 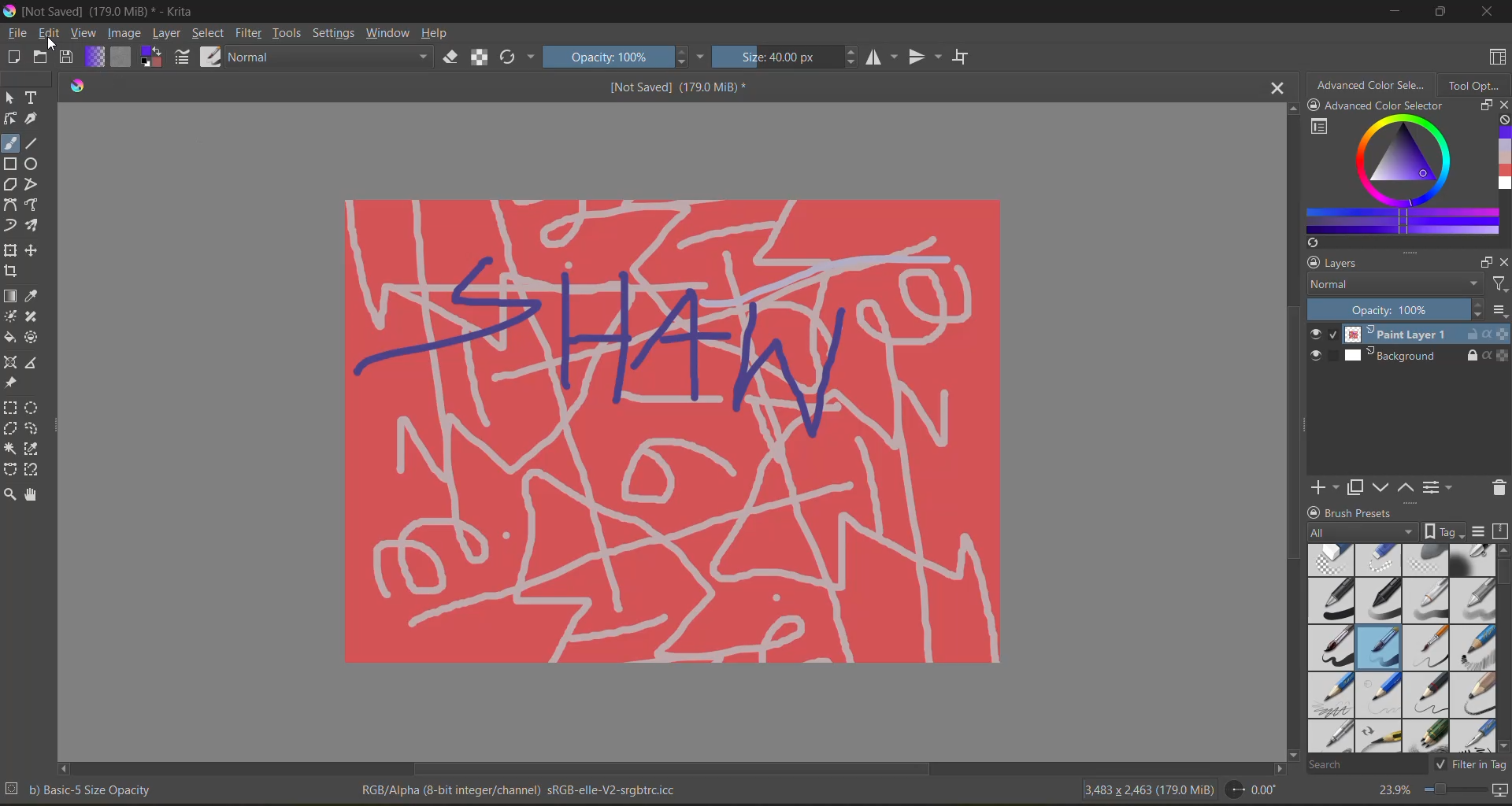 I want to click on maximize, so click(x=1442, y=13).